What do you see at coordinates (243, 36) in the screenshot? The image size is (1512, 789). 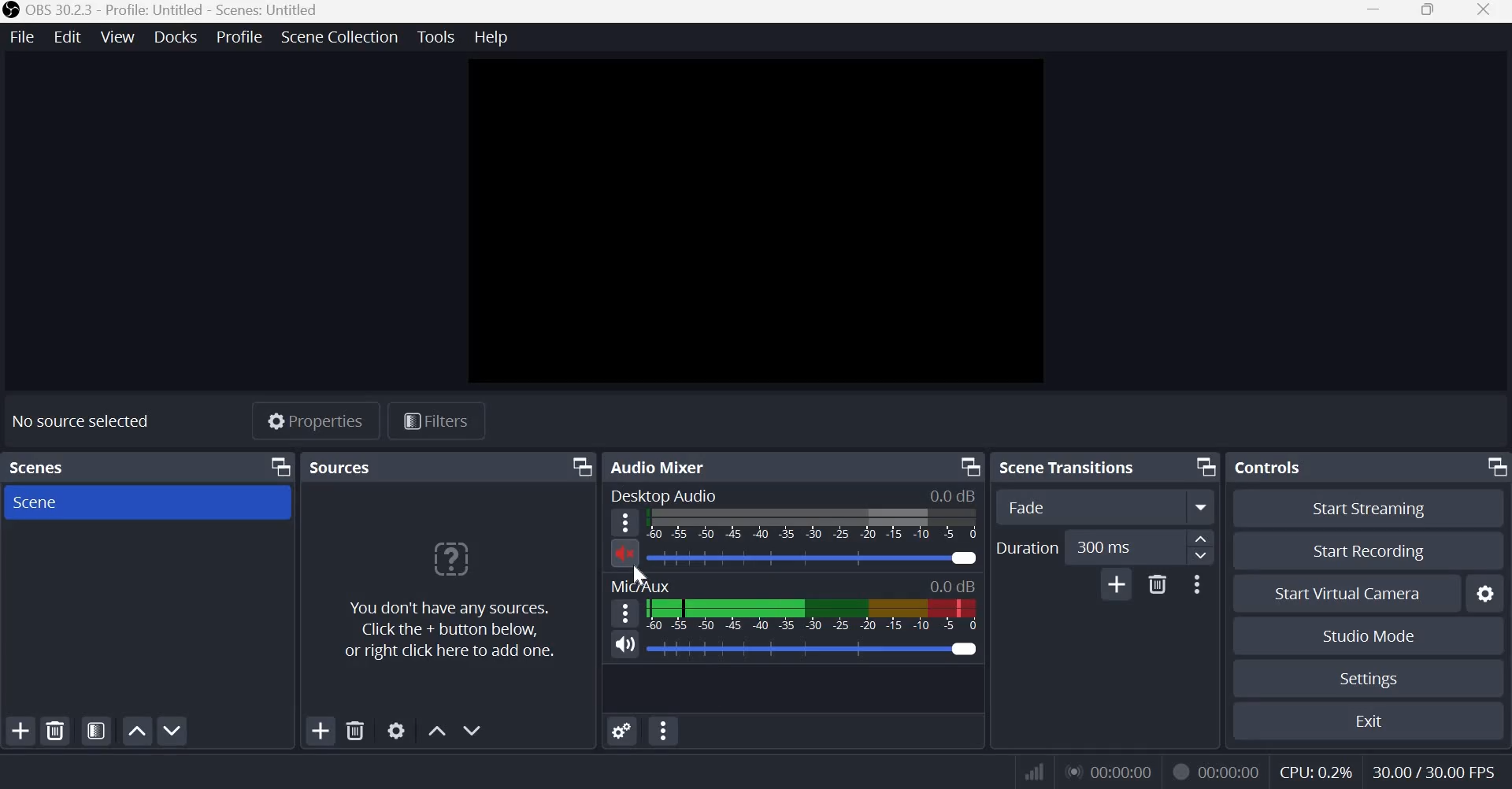 I see `Profile` at bounding box center [243, 36].